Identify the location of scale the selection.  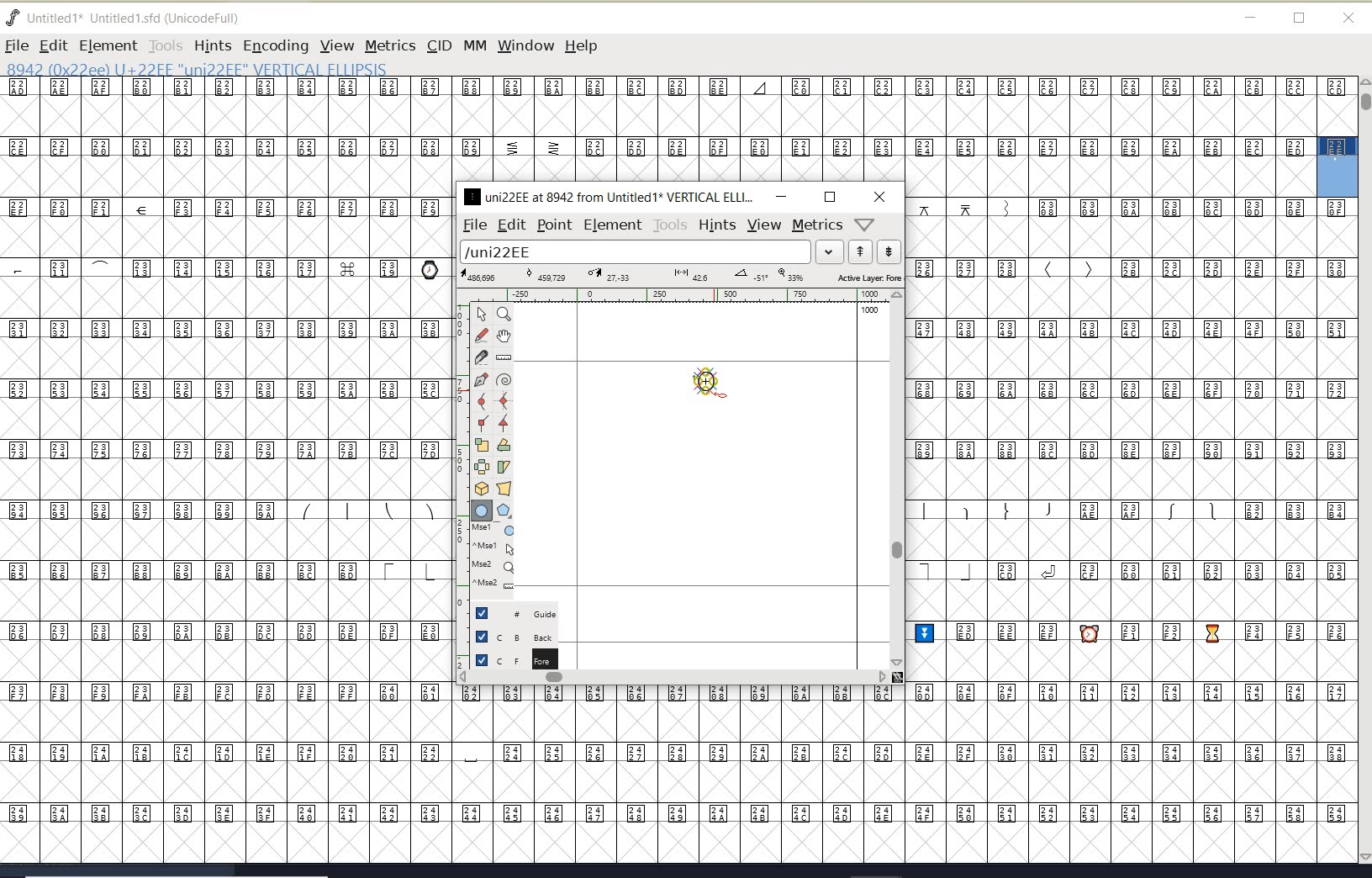
(482, 445).